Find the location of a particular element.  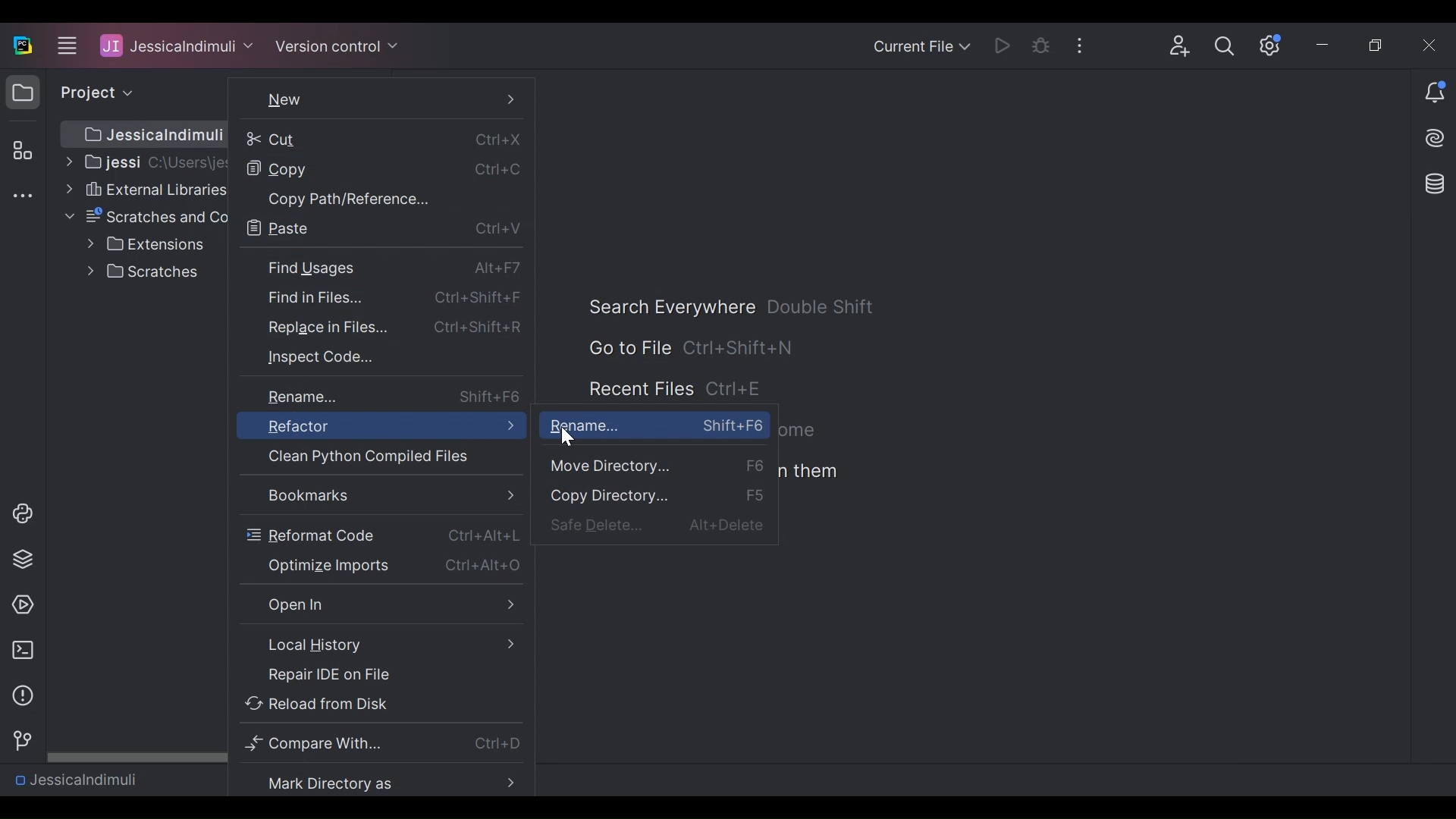

Reload from Disk is located at coordinates (381, 702).